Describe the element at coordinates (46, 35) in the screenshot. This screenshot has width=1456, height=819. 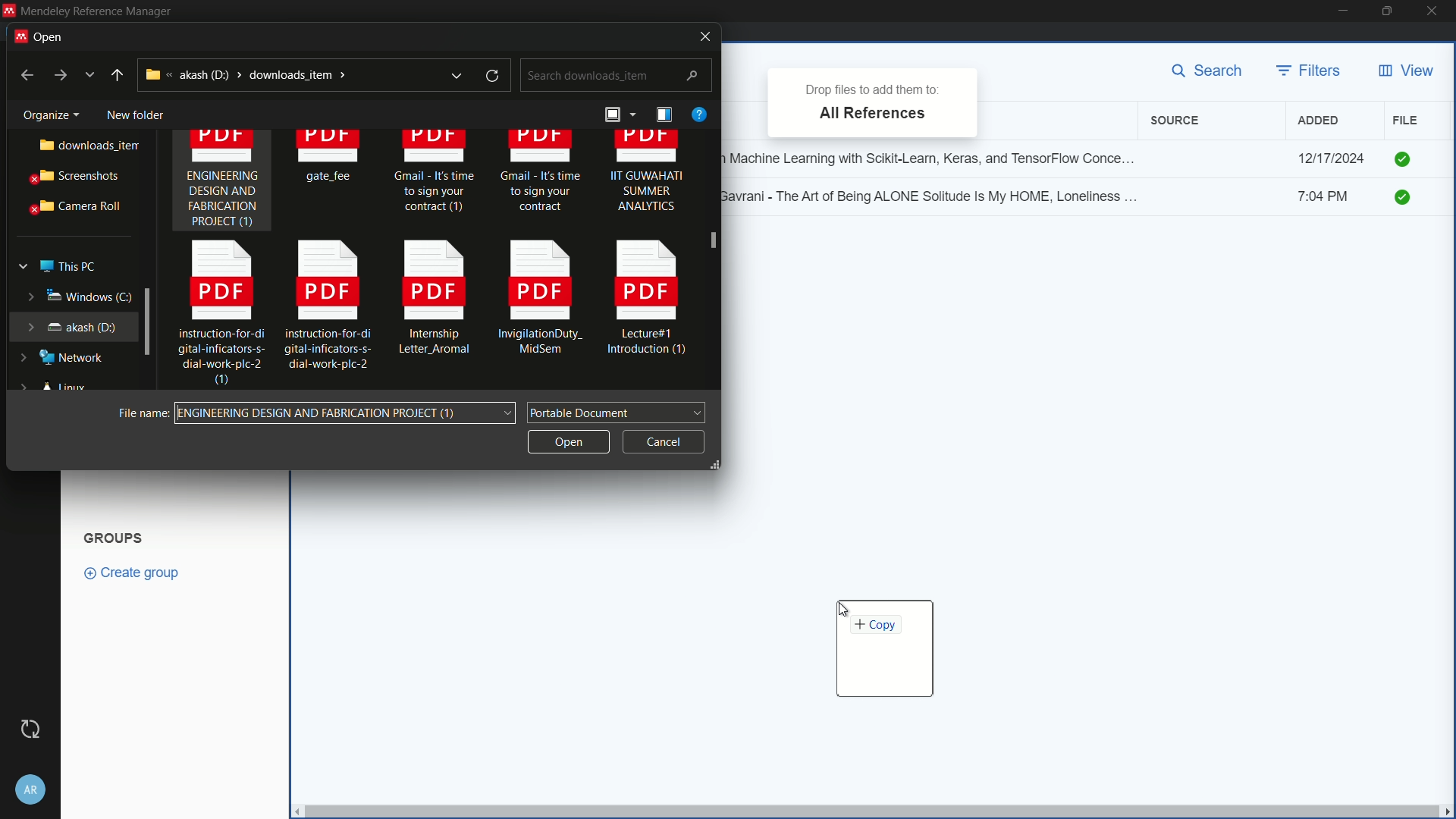
I see `open` at that location.